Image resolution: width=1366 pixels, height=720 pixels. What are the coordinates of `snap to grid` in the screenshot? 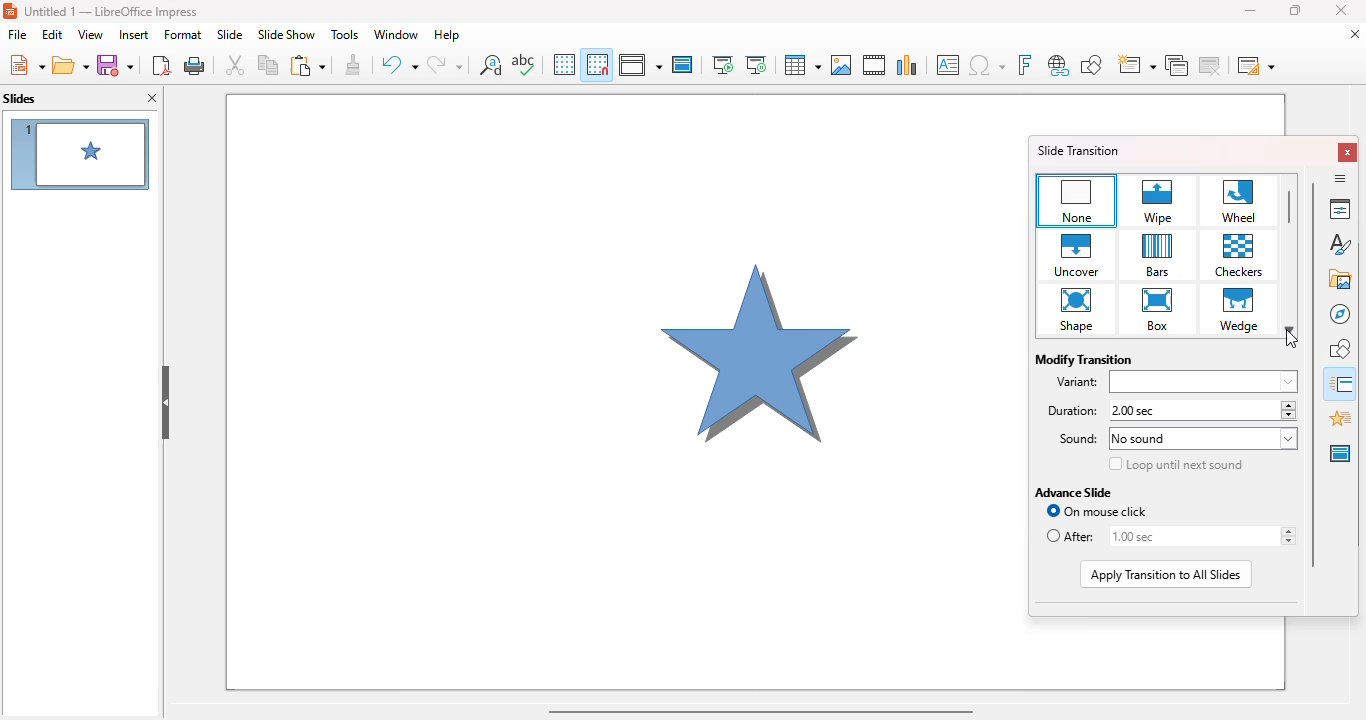 It's located at (598, 64).